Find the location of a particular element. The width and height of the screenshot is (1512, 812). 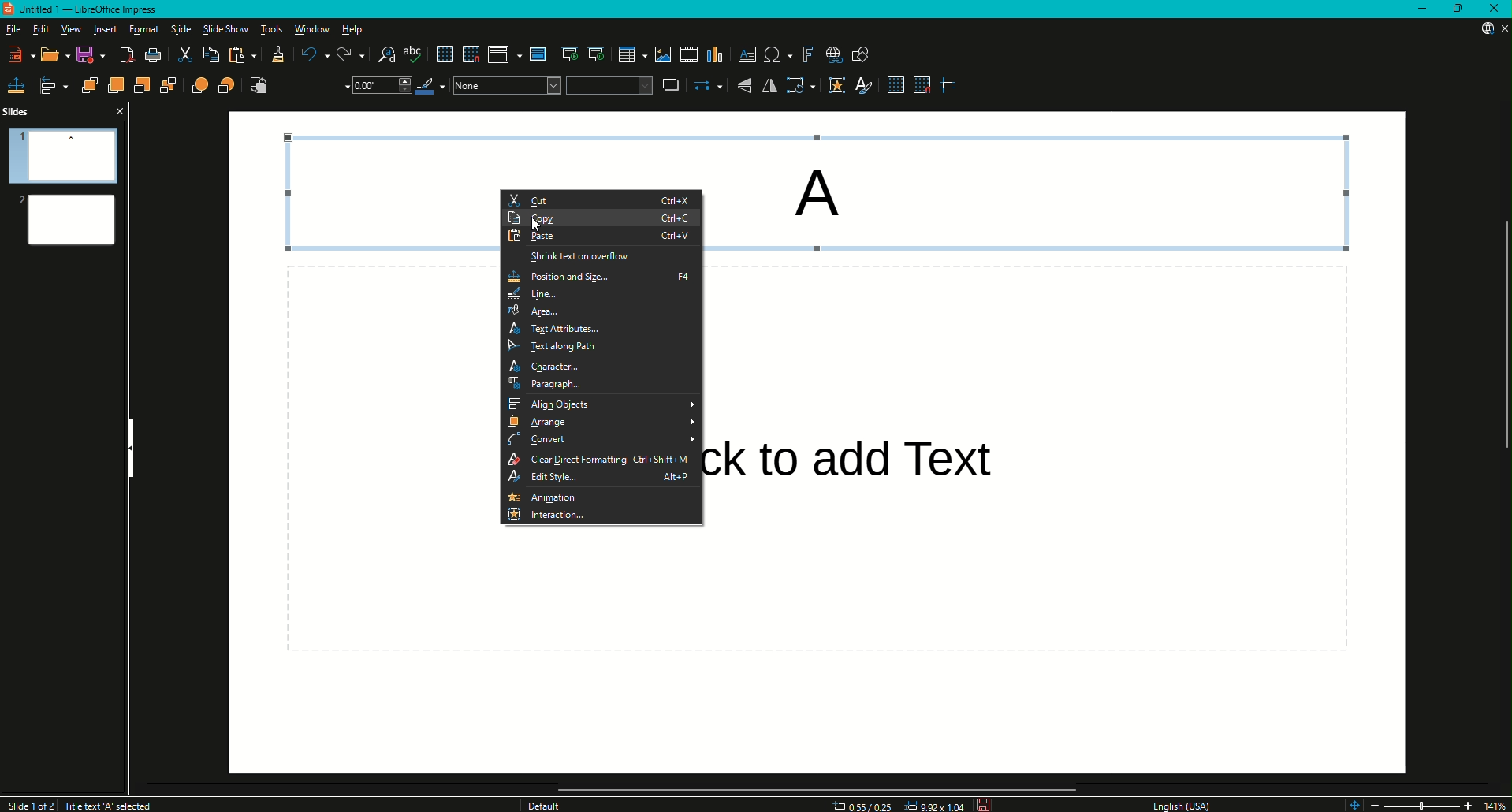

Scroll is located at coordinates (814, 786).